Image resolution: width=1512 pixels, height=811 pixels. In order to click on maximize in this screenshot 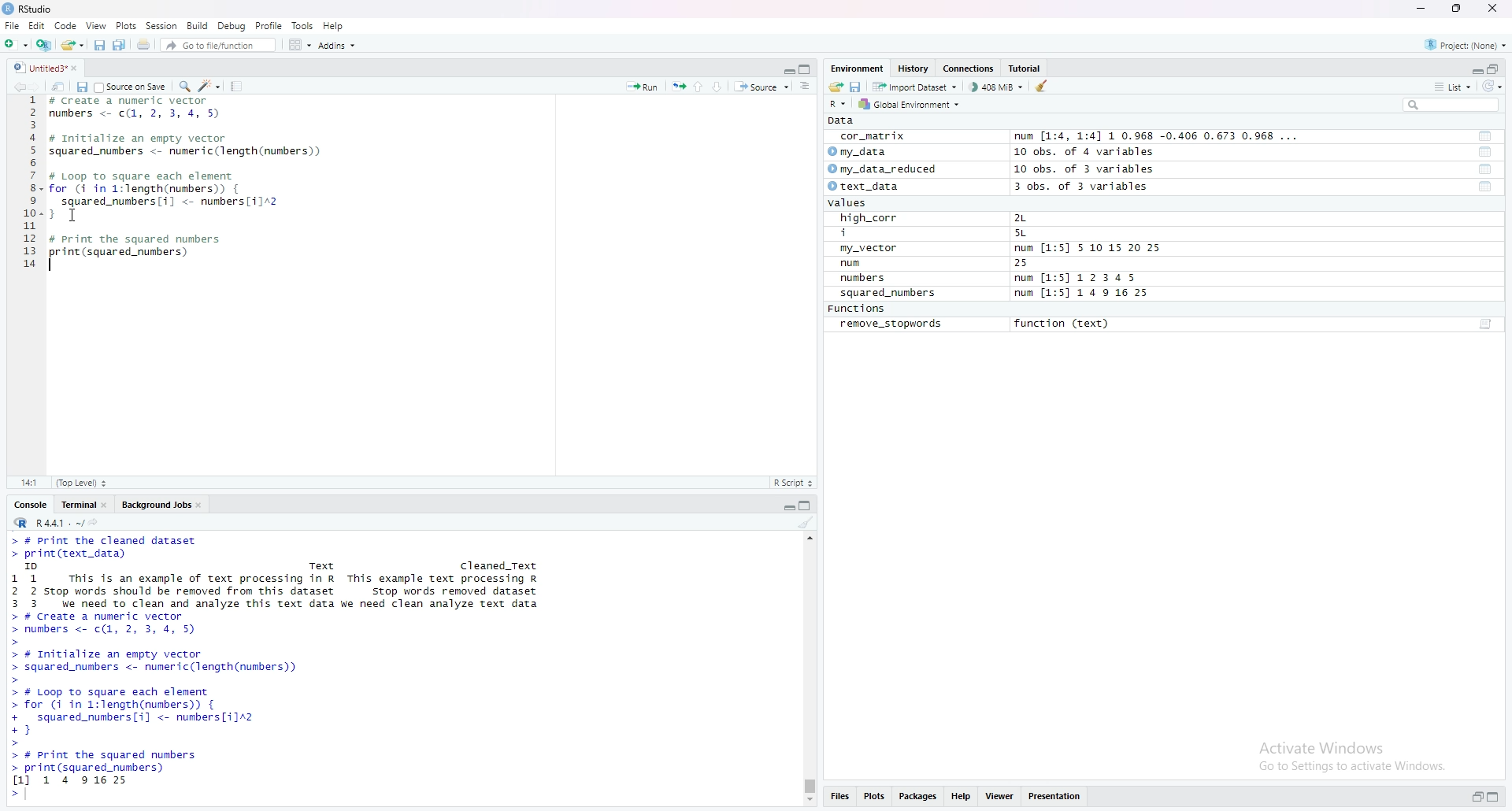, I will do `click(1495, 68)`.